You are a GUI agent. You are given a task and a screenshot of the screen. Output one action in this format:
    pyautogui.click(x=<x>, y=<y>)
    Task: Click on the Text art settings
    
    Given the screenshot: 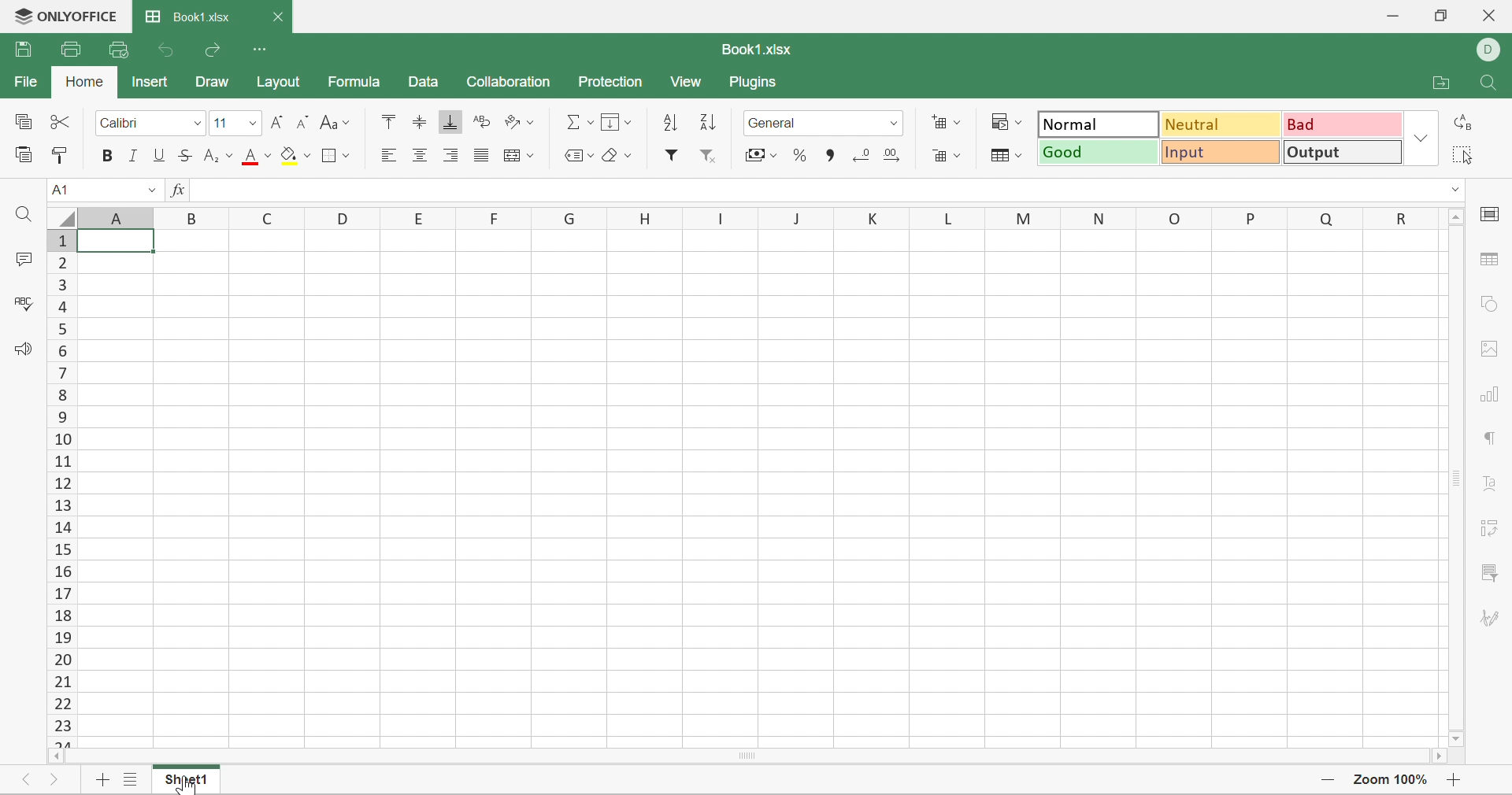 What is the action you would take?
    pyautogui.click(x=1491, y=483)
    